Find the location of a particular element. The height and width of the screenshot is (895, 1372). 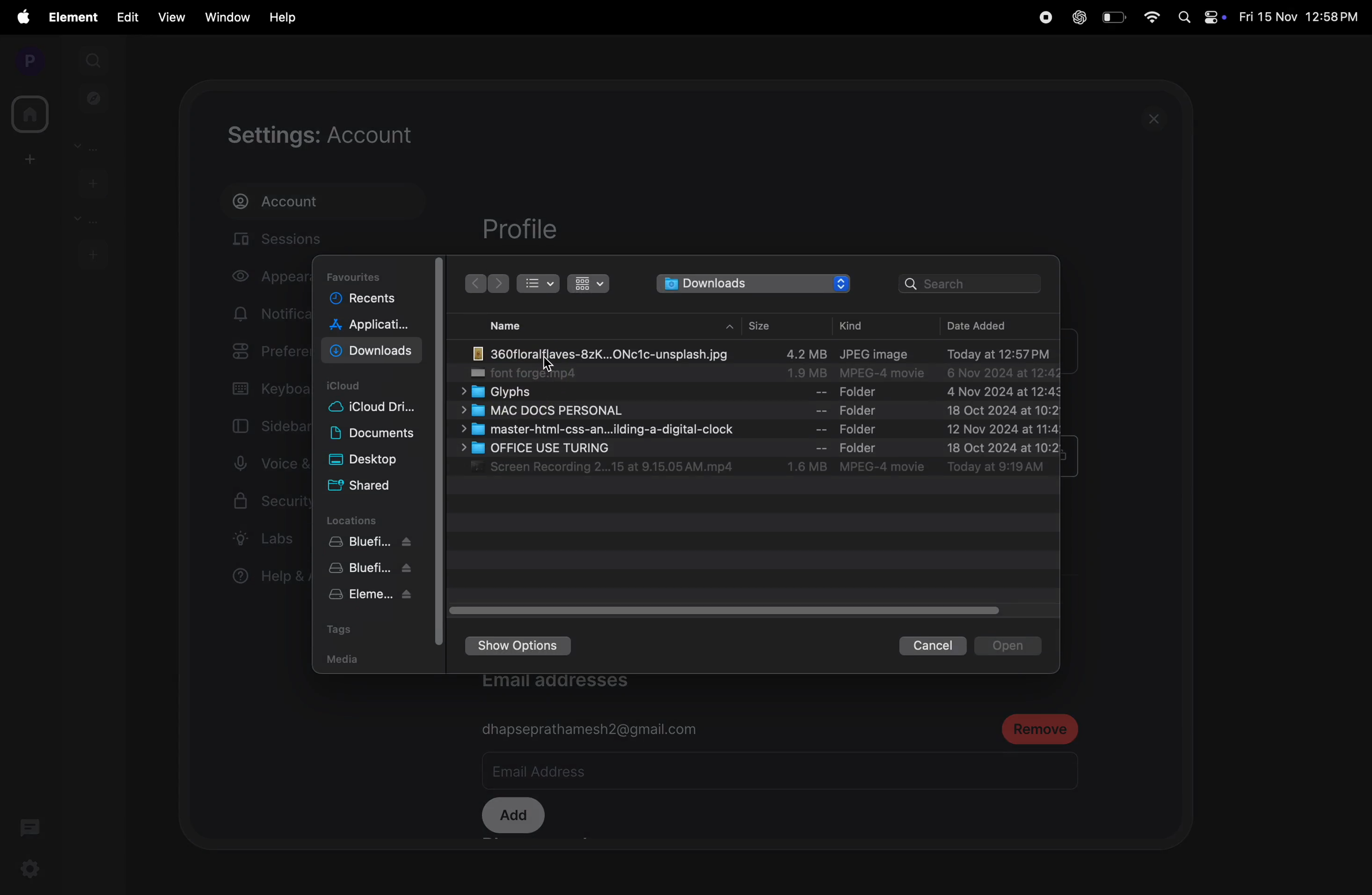

i cloud drive is located at coordinates (377, 408).